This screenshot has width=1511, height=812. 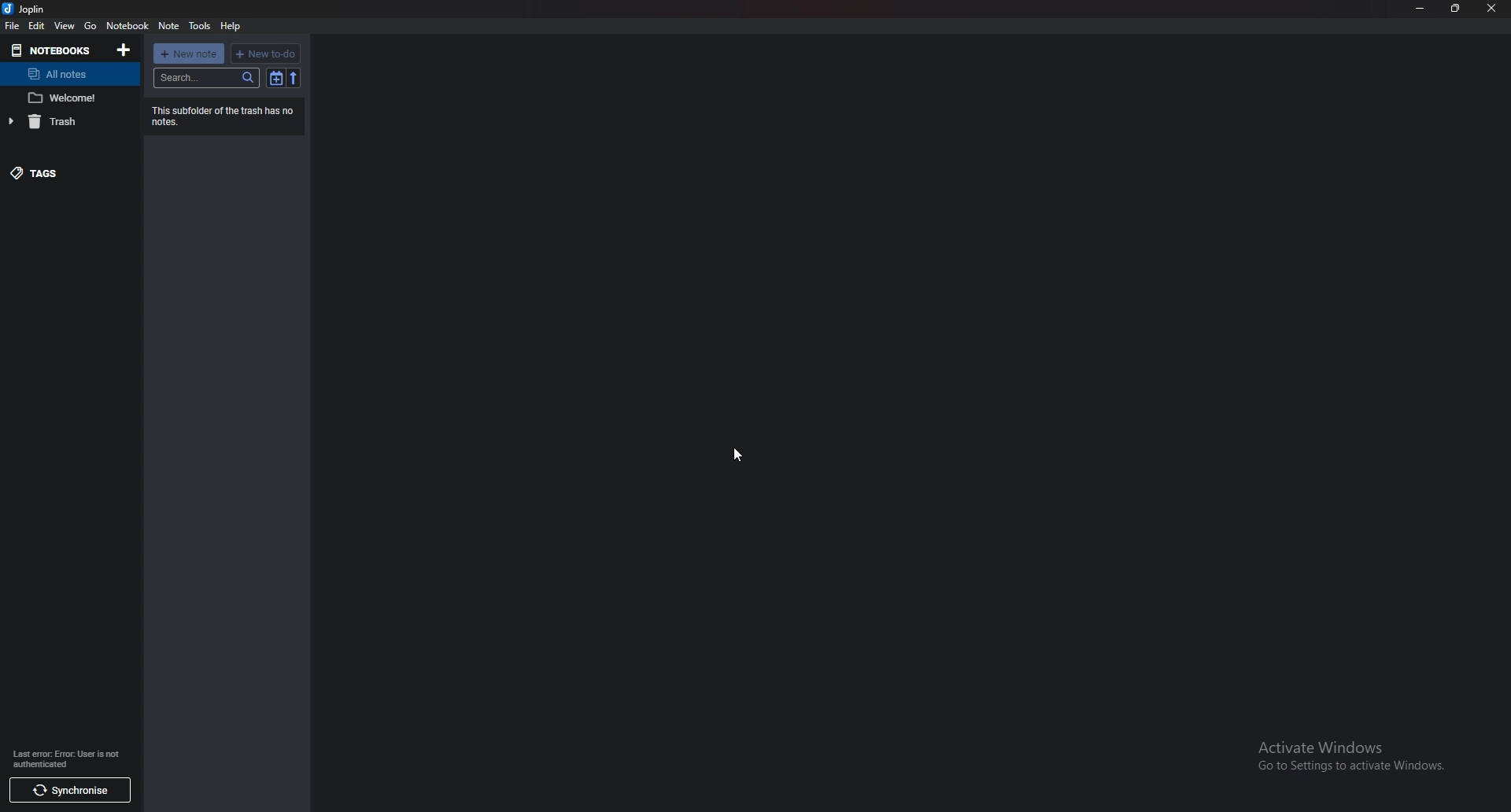 What do you see at coordinates (1454, 8) in the screenshot?
I see `Resize` at bounding box center [1454, 8].